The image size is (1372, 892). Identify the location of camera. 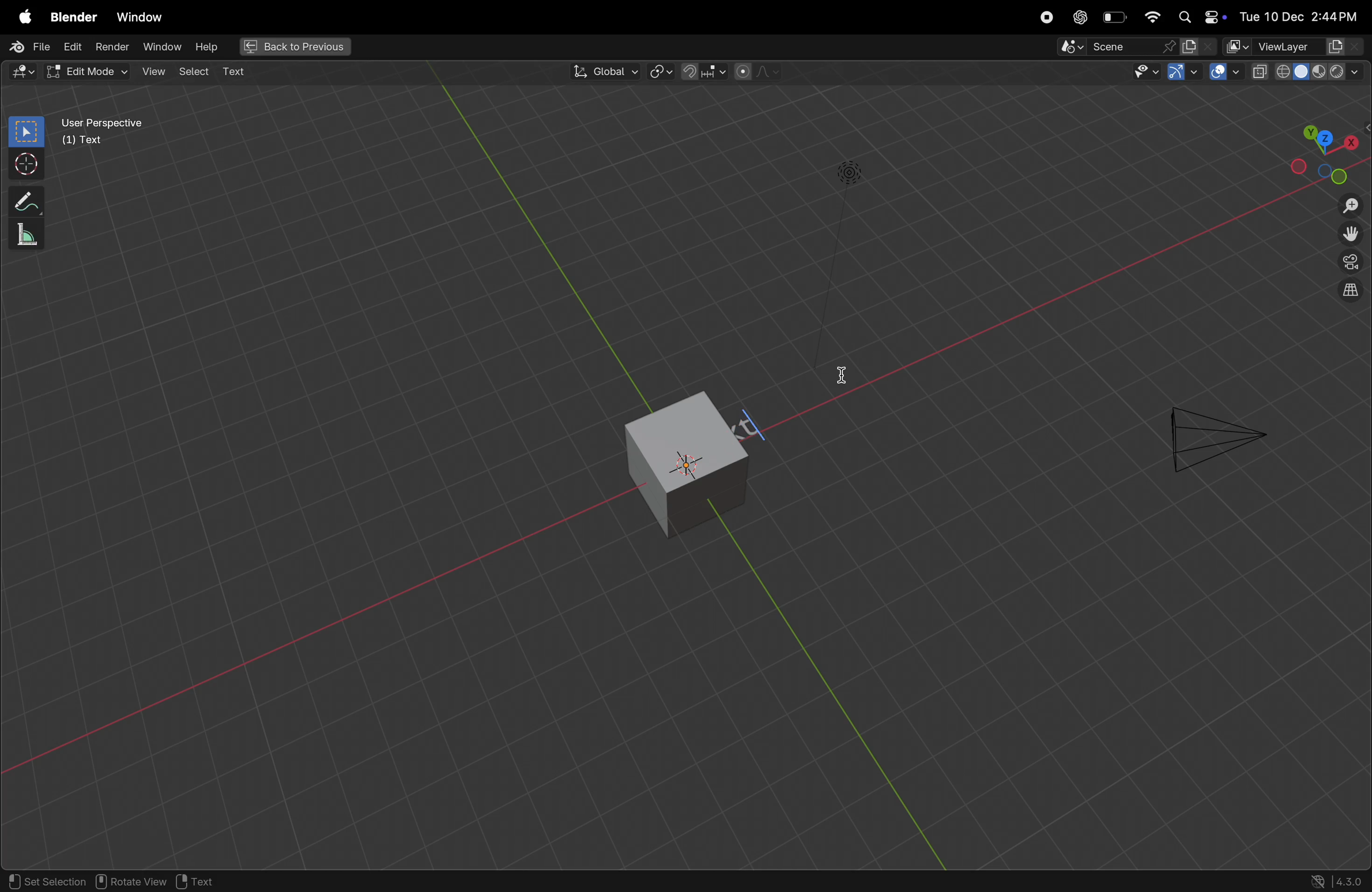
(1213, 434).